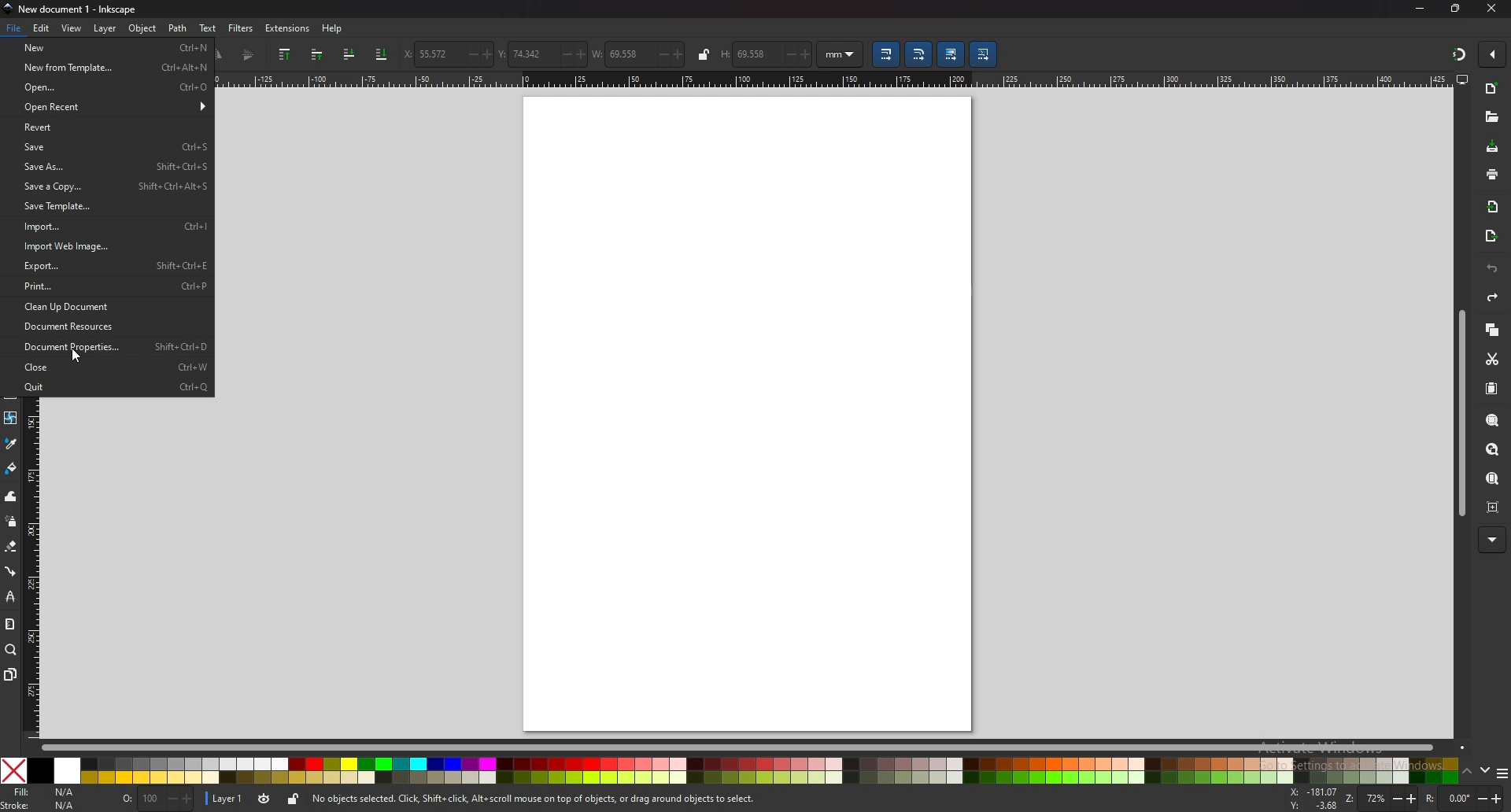 Image resolution: width=1511 pixels, height=812 pixels. Describe the element at coordinates (13, 770) in the screenshot. I see `Close` at that location.